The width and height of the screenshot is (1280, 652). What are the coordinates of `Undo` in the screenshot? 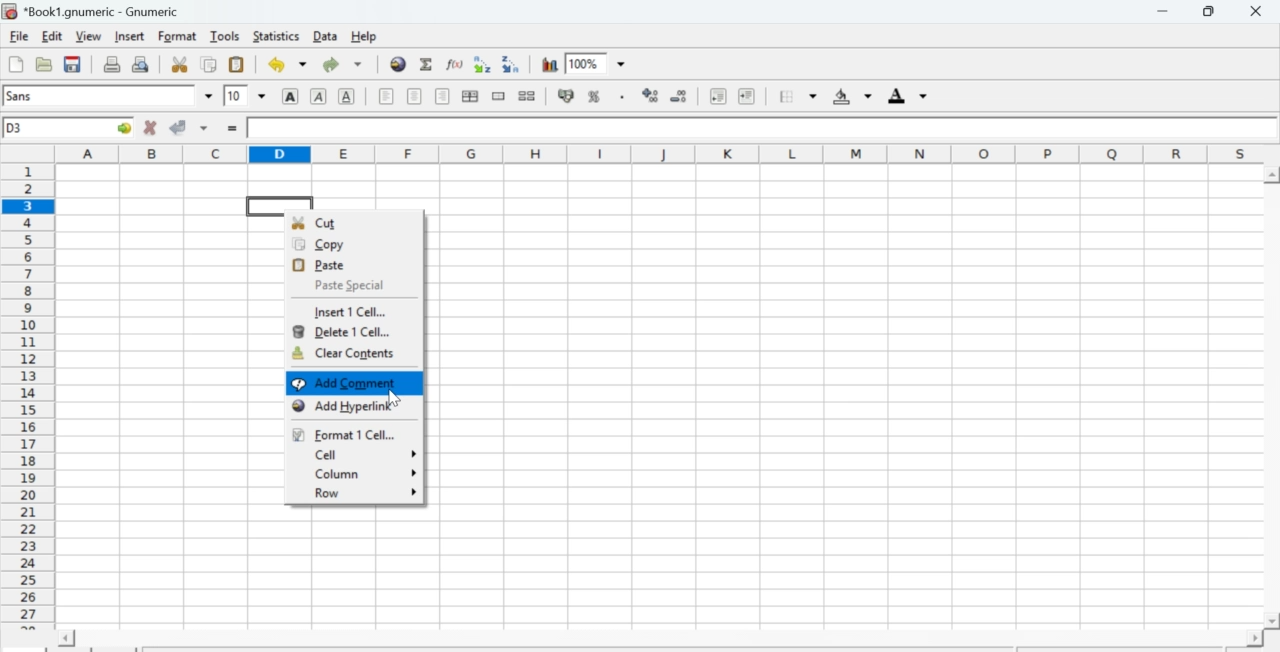 It's located at (285, 64).